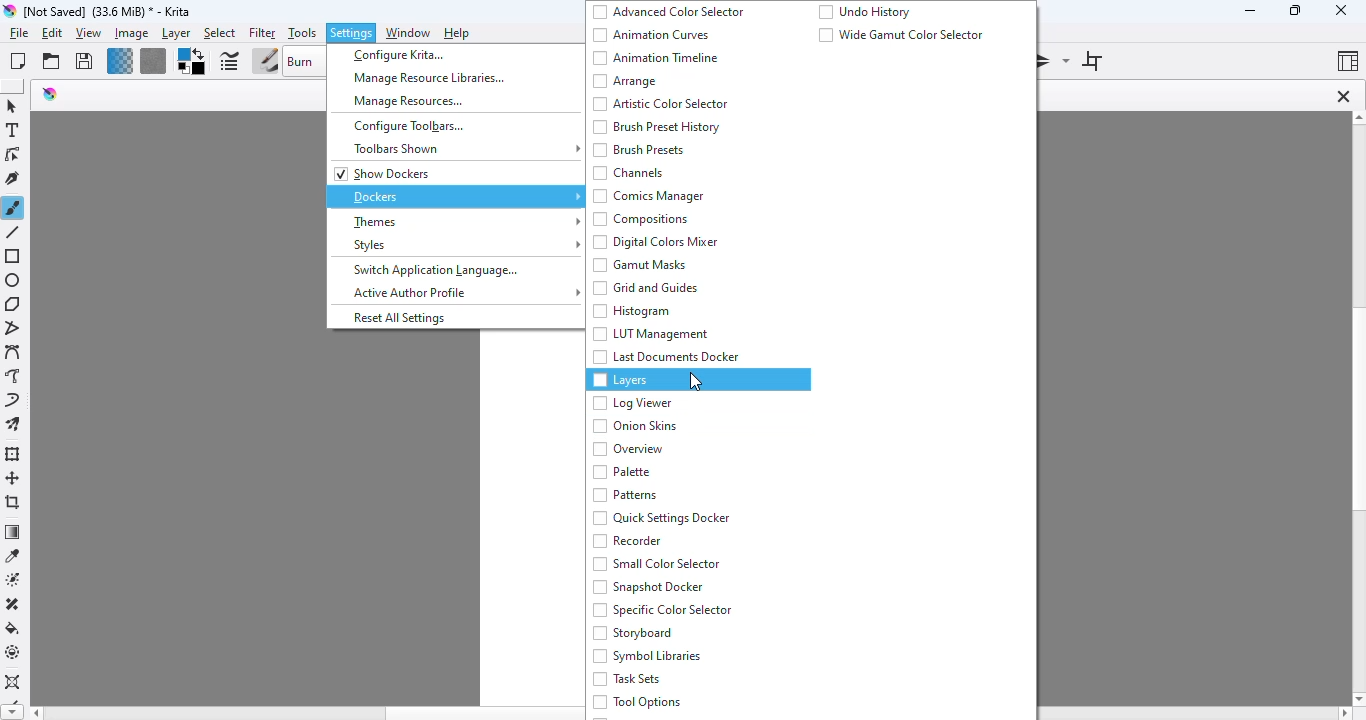 The height and width of the screenshot is (720, 1366). Describe the element at coordinates (1250, 10) in the screenshot. I see `minimize` at that location.